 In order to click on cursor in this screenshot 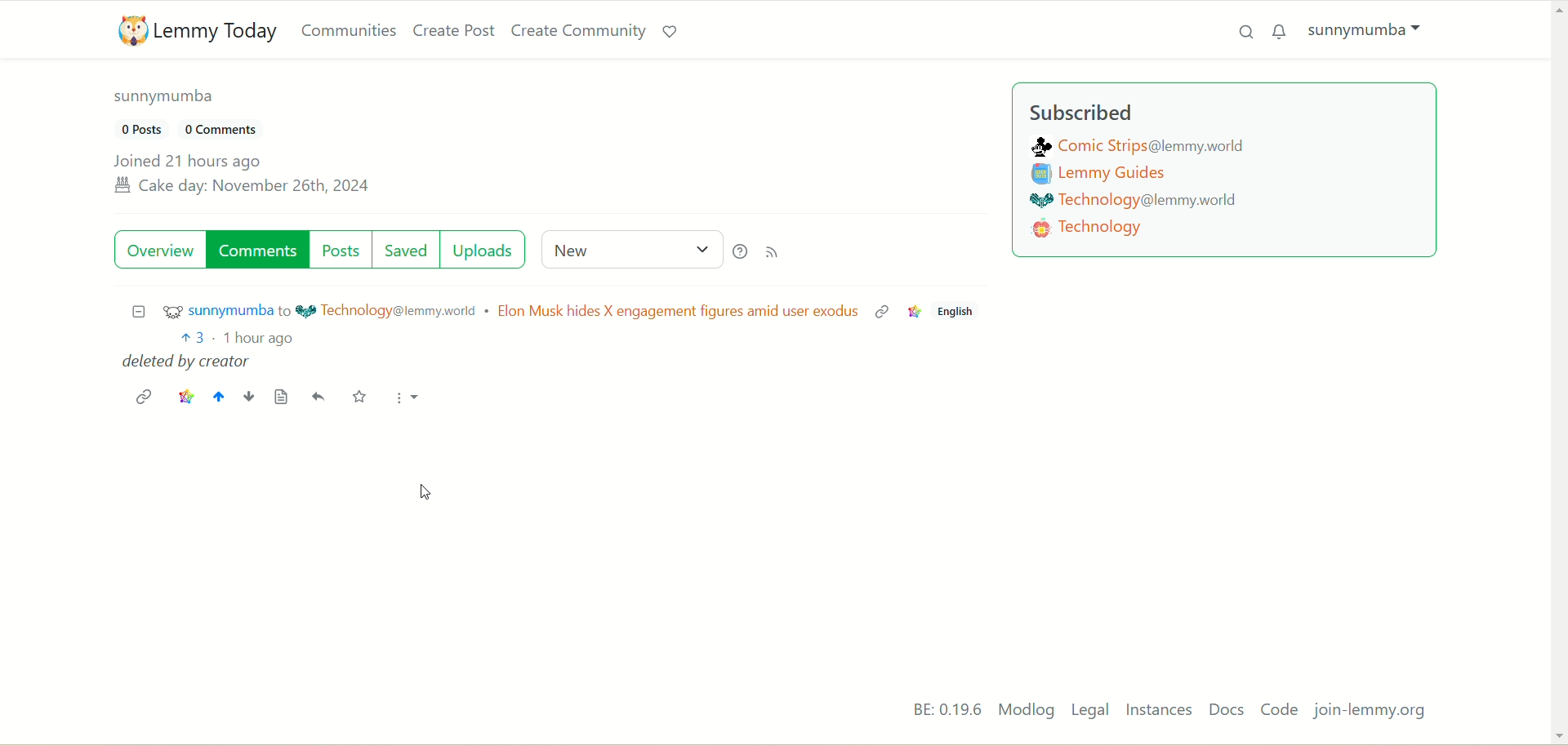, I will do `click(424, 491)`.